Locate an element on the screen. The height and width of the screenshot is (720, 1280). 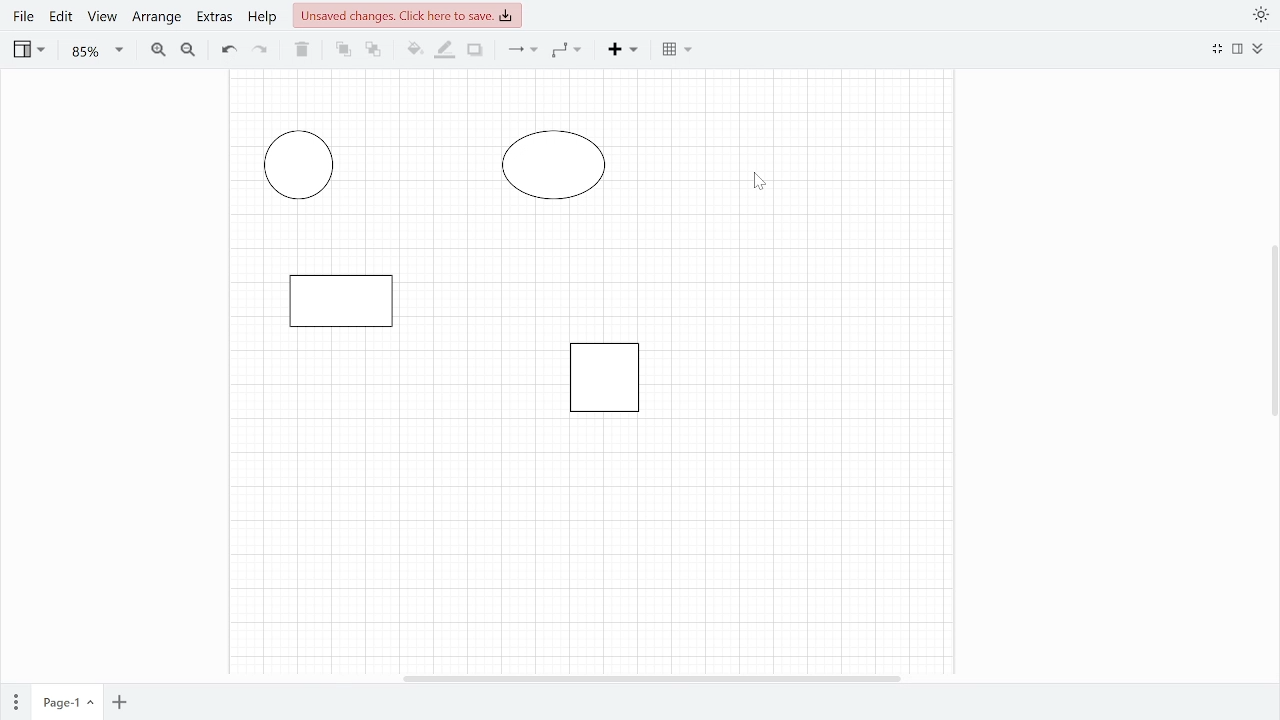
Vertical scrollbar is located at coordinates (1270, 333).